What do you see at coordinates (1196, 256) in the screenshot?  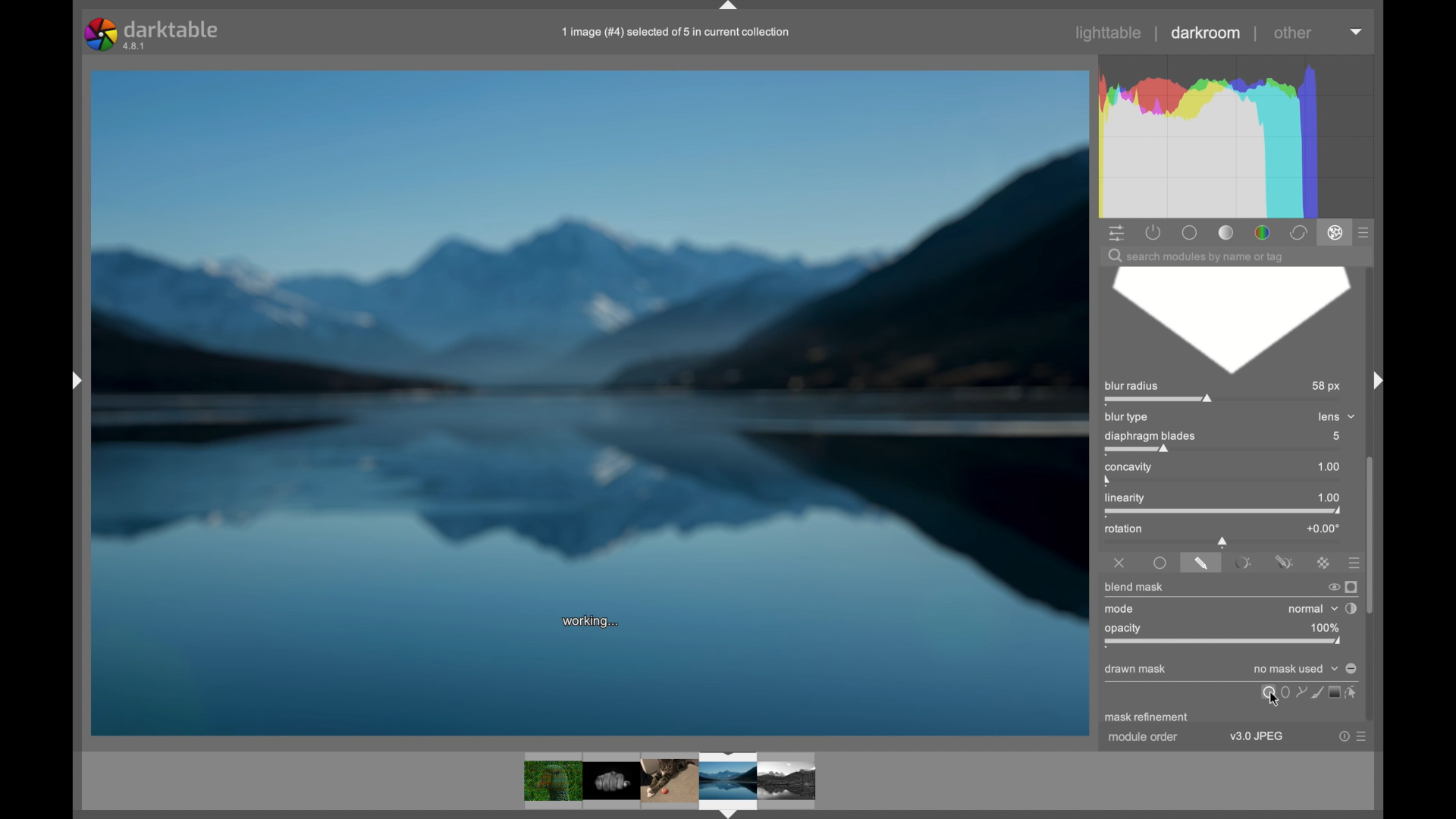 I see `search module by name or tag` at bounding box center [1196, 256].